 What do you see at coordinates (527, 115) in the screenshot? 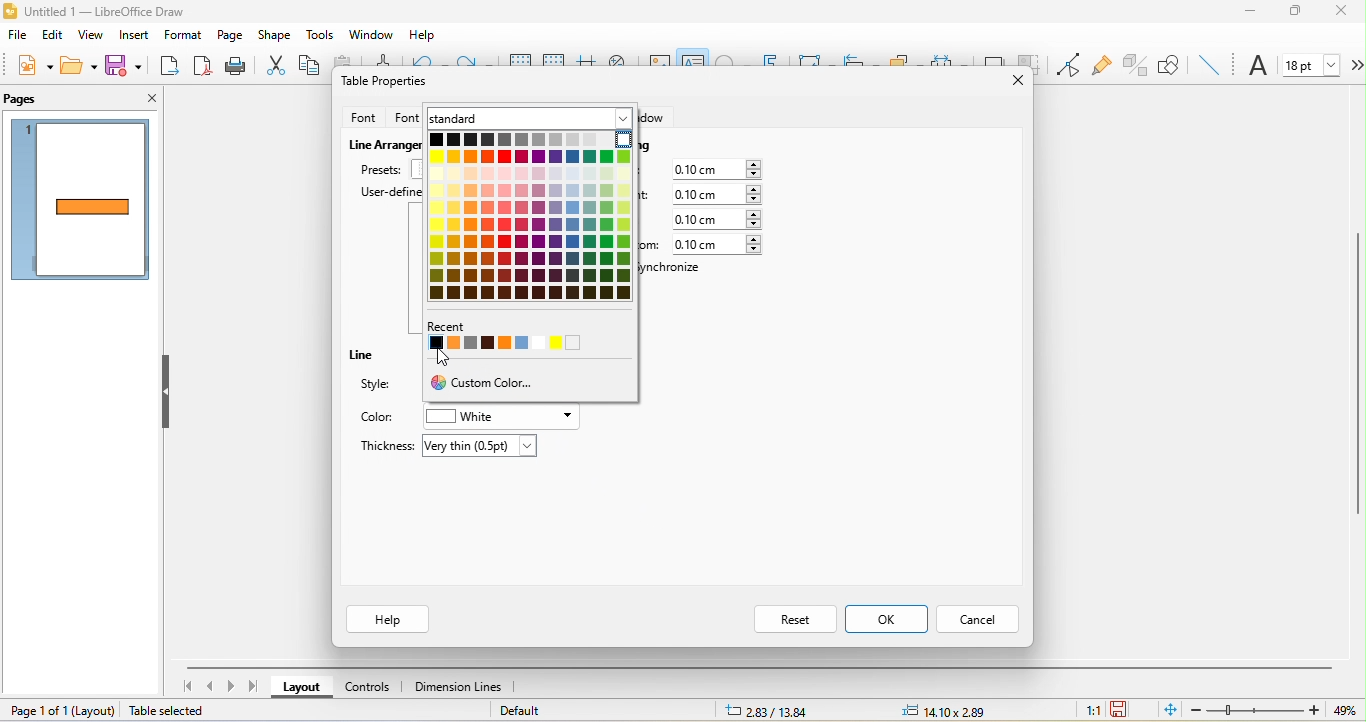
I see `standard` at bounding box center [527, 115].